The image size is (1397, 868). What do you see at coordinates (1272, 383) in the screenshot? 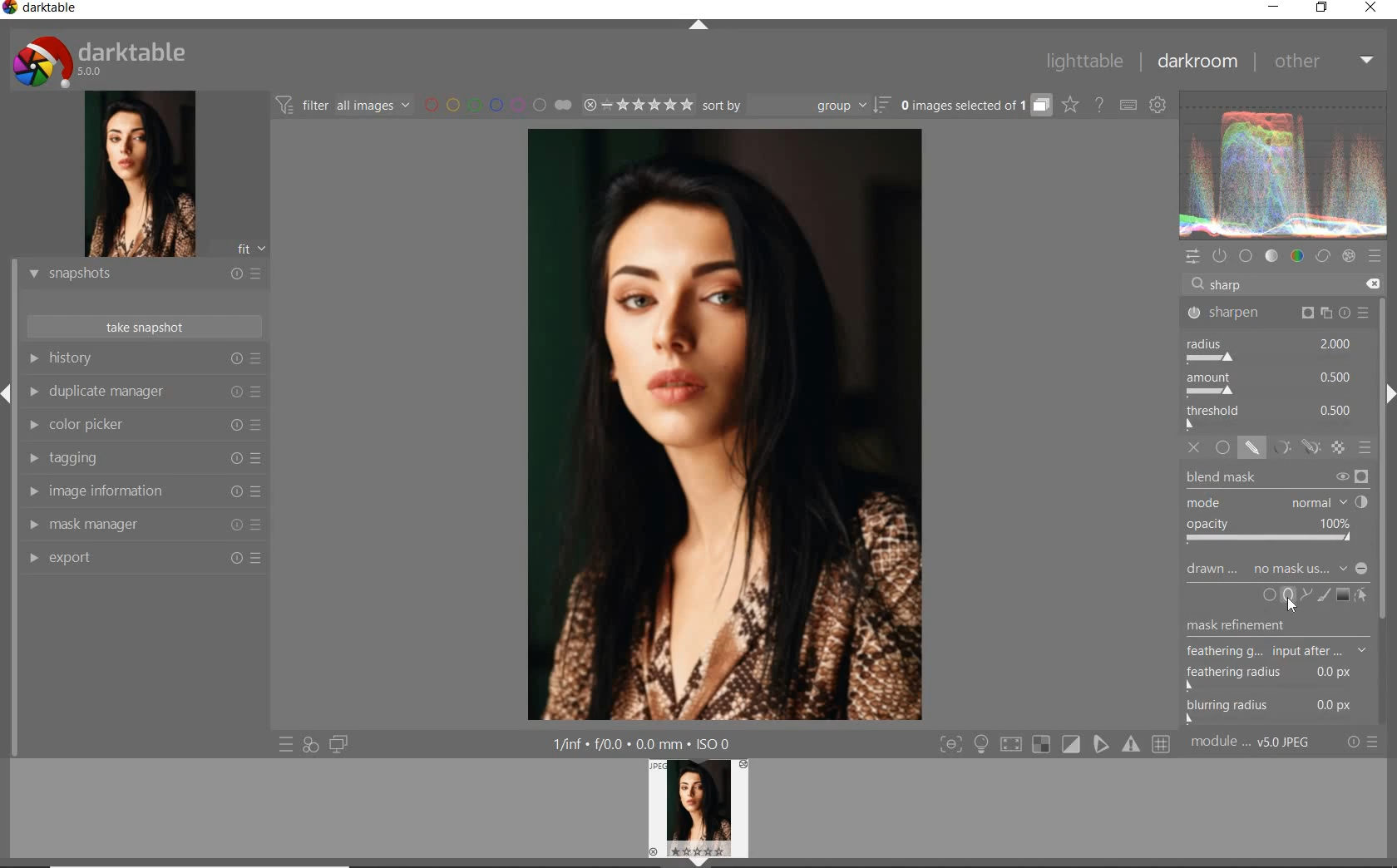
I see `amount` at bounding box center [1272, 383].